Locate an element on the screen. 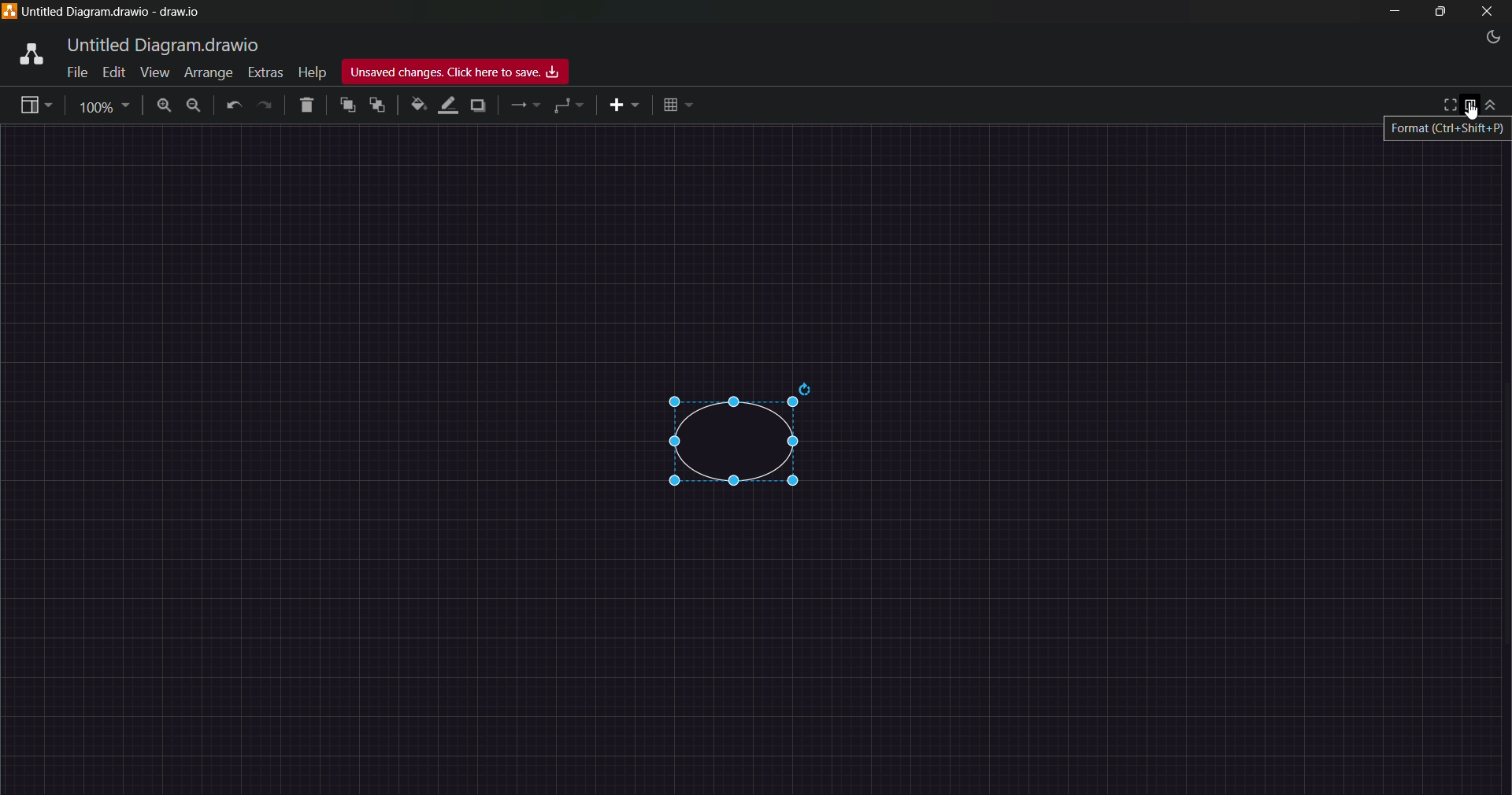 This screenshot has width=1512, height=795. redo is located at coordinates (265, 108).